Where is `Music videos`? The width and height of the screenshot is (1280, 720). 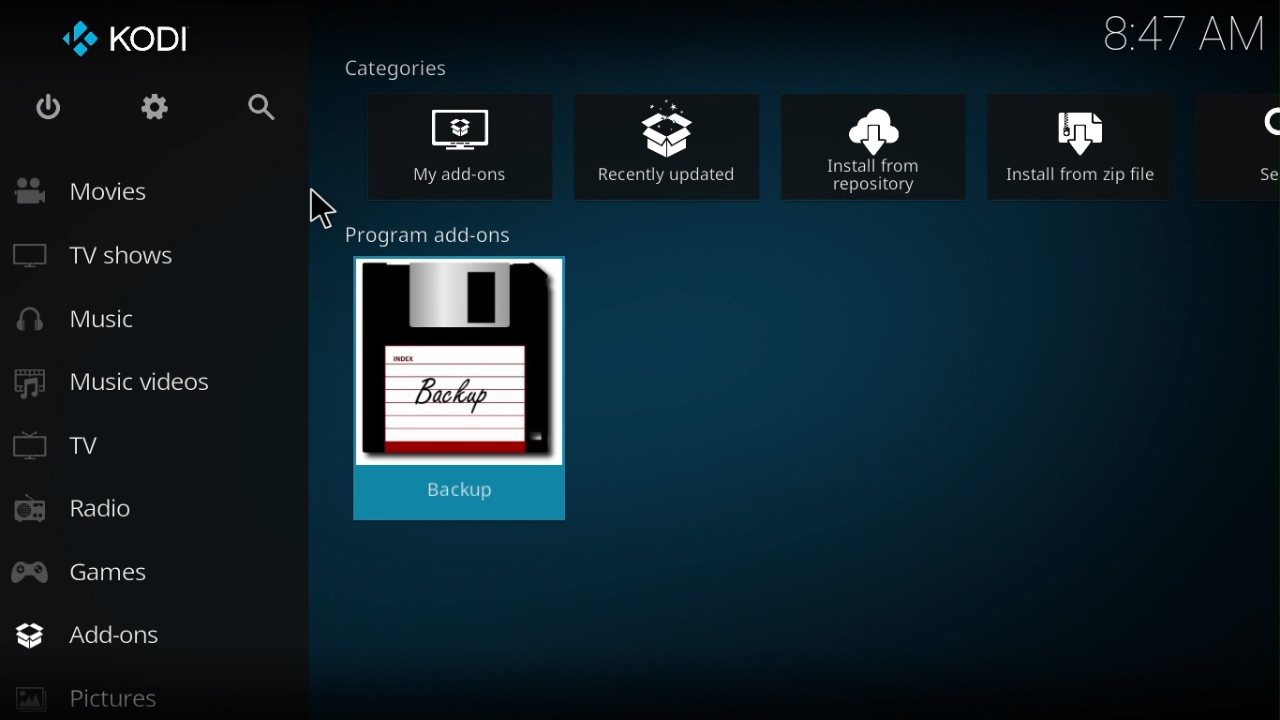
Music videos is located at coordinates (119, 384).